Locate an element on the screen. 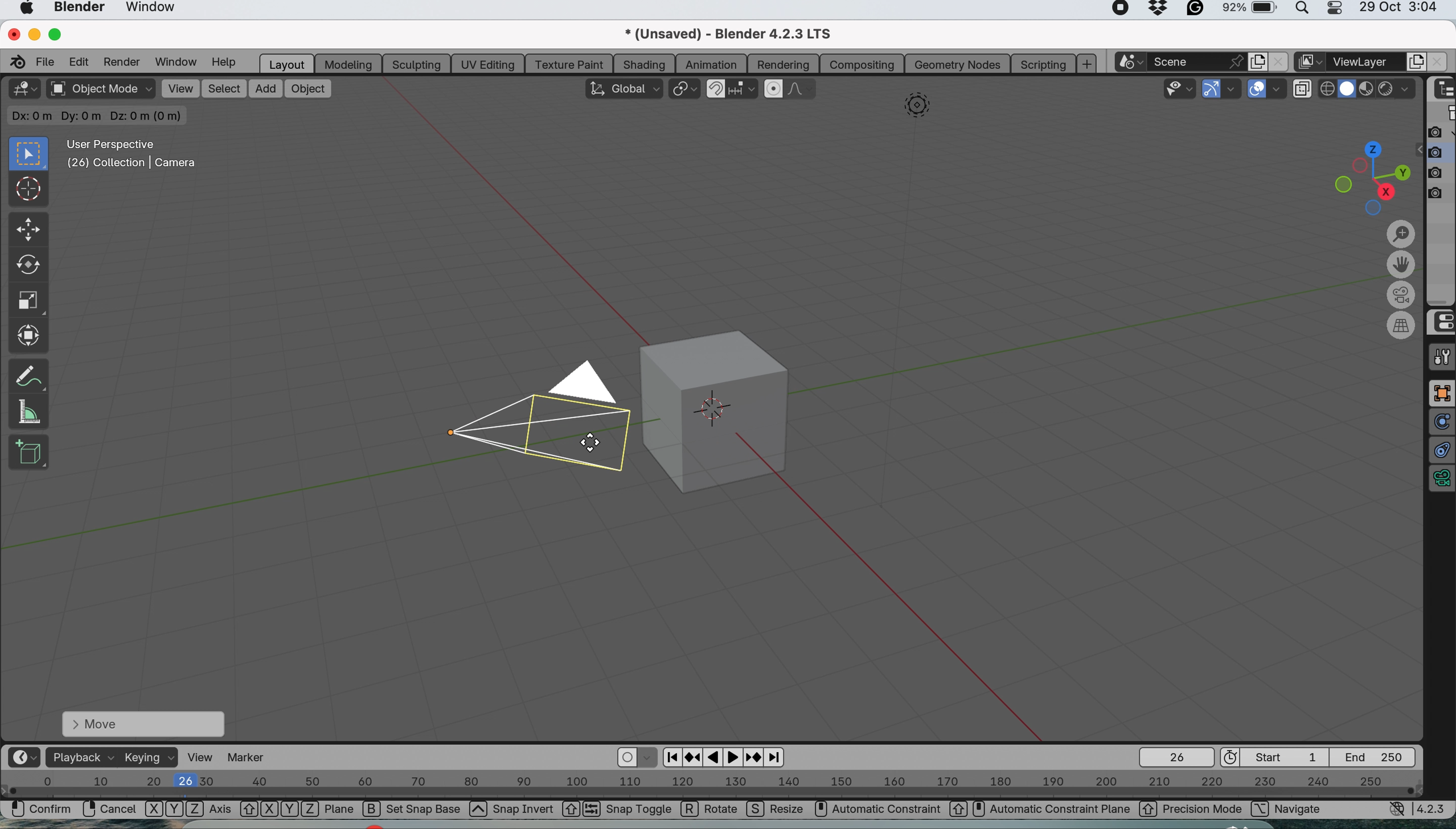 This screenshot has height=829, width=1456. proportional editing object is located at coordinates (775, 89).